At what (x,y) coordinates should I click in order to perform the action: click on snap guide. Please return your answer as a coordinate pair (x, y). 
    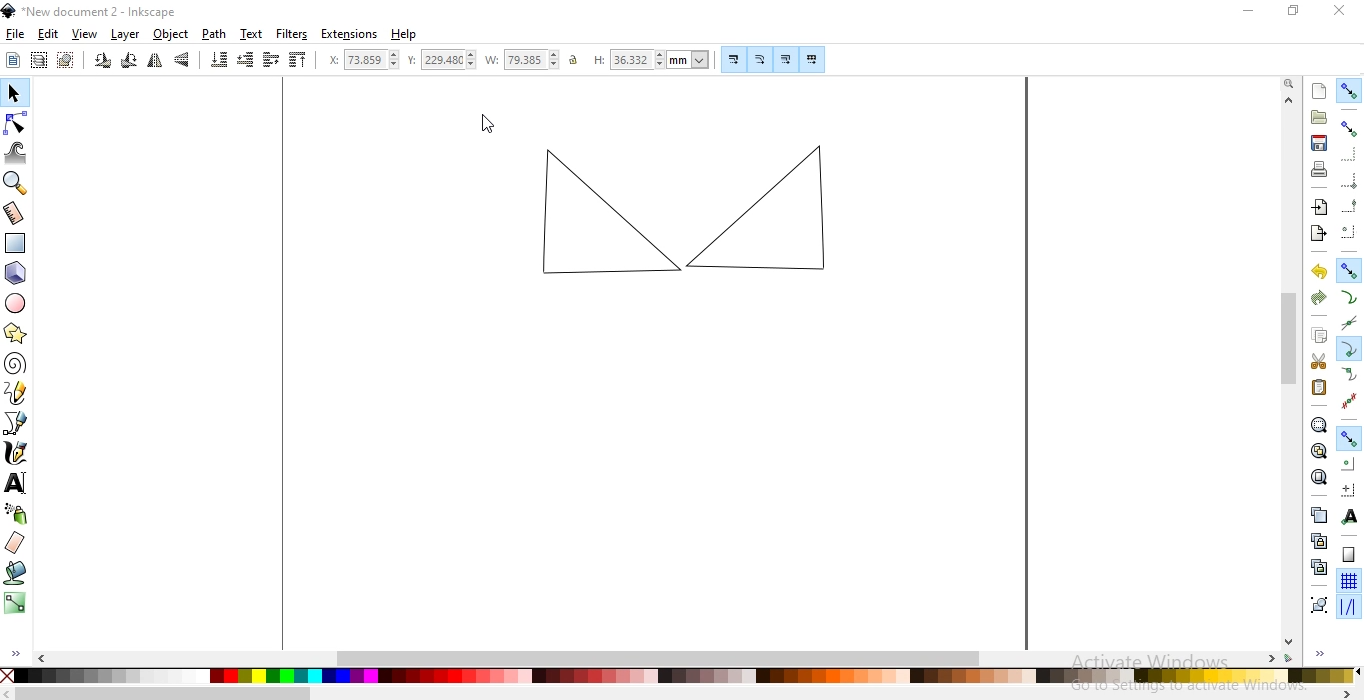
    Looking at the image, I should click on (1350, 607).